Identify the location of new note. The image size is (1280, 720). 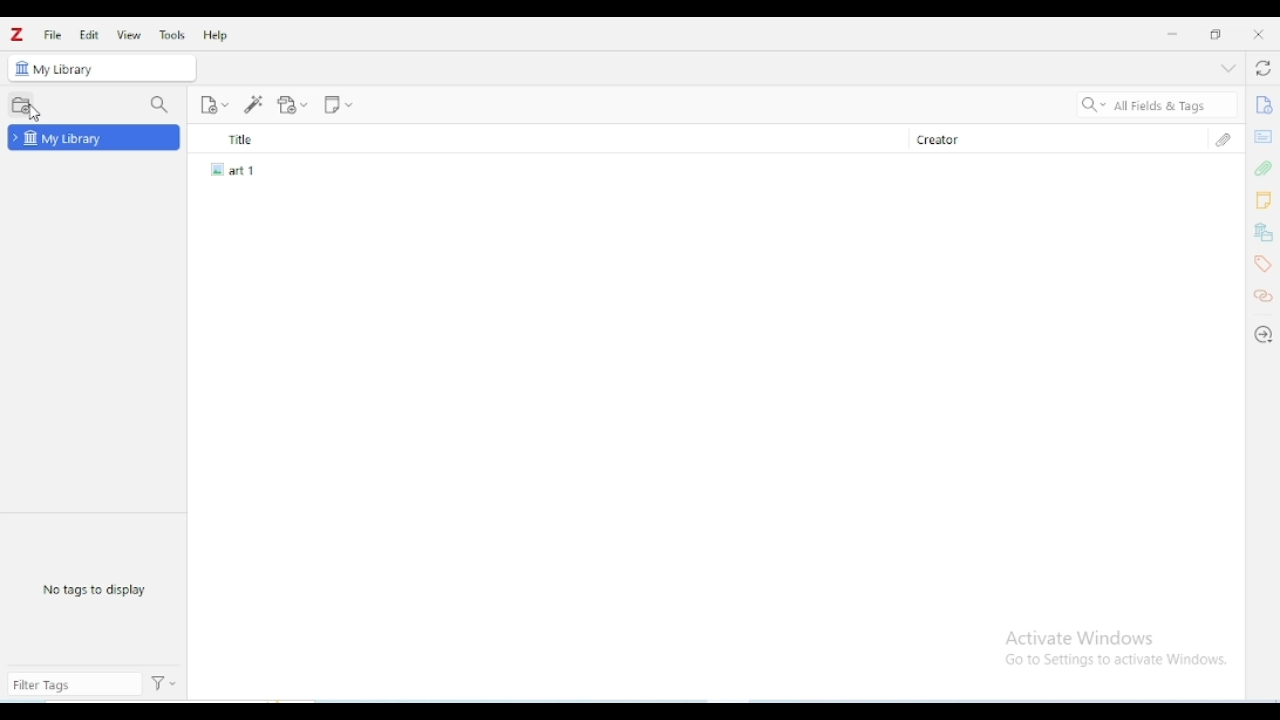
(338, 103).